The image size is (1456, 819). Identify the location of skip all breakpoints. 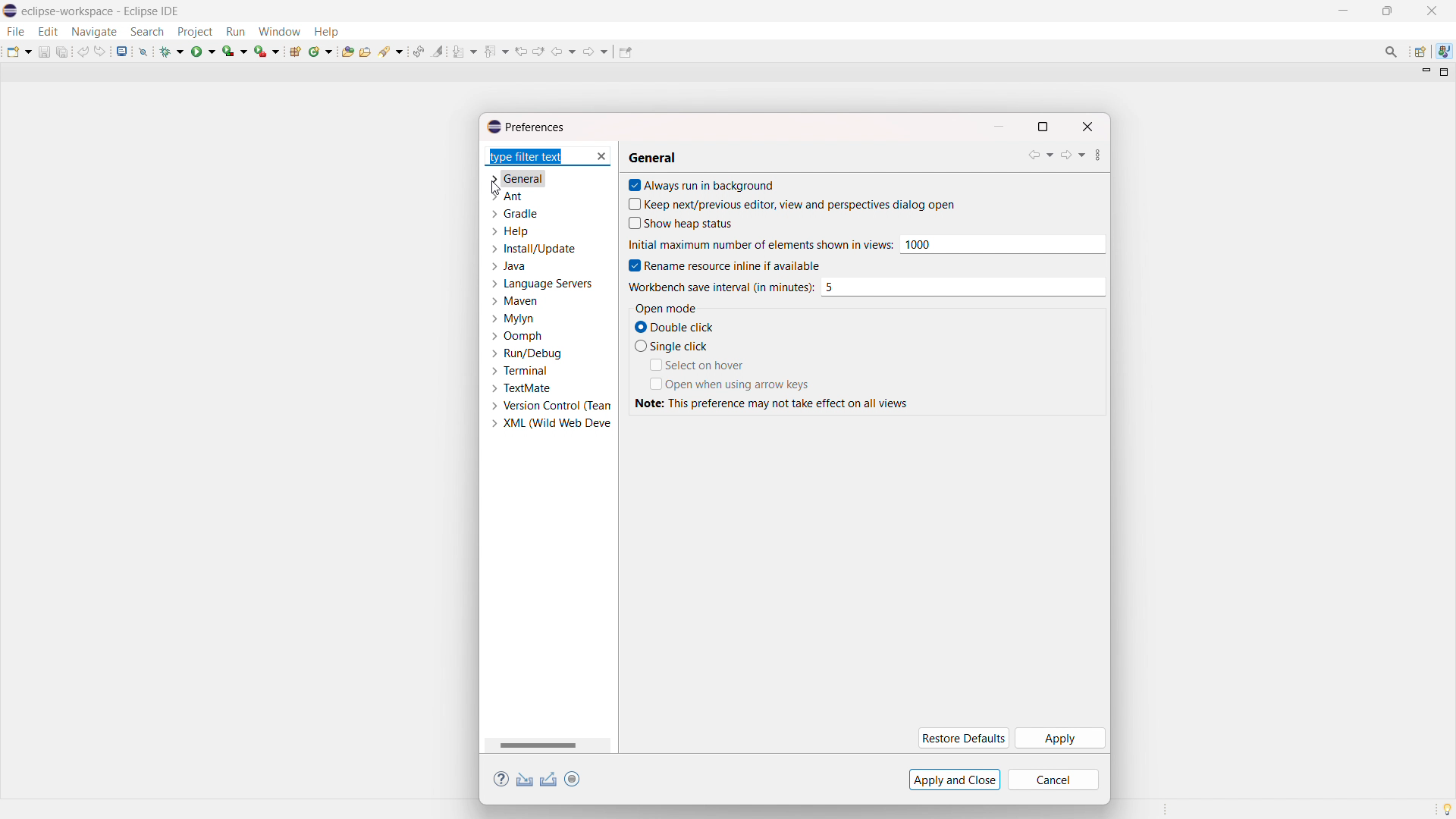
(143, 51).